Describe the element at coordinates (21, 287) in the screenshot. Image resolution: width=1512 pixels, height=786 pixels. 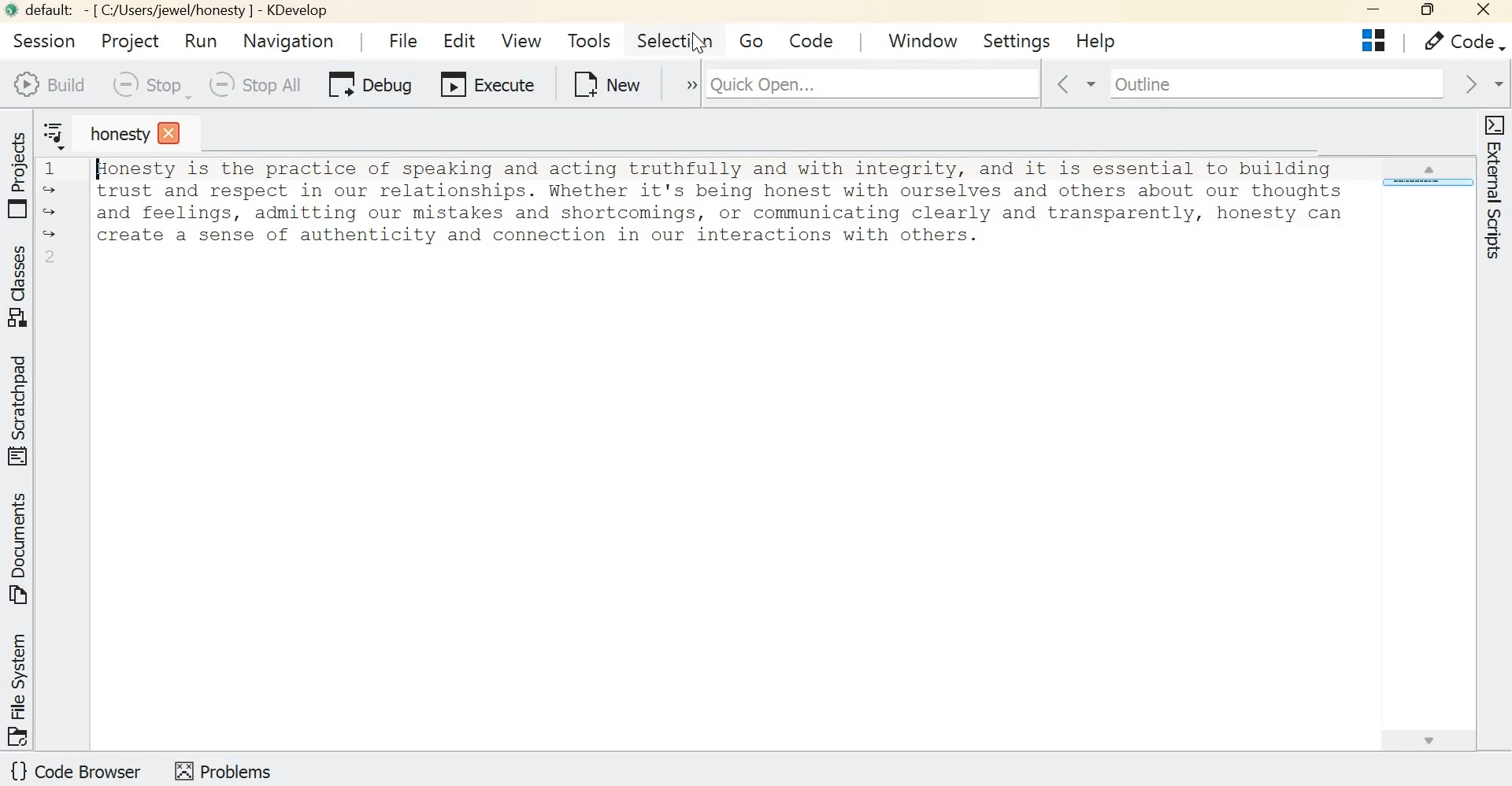
I see `Toggle 'Classes' tool view` at that location.